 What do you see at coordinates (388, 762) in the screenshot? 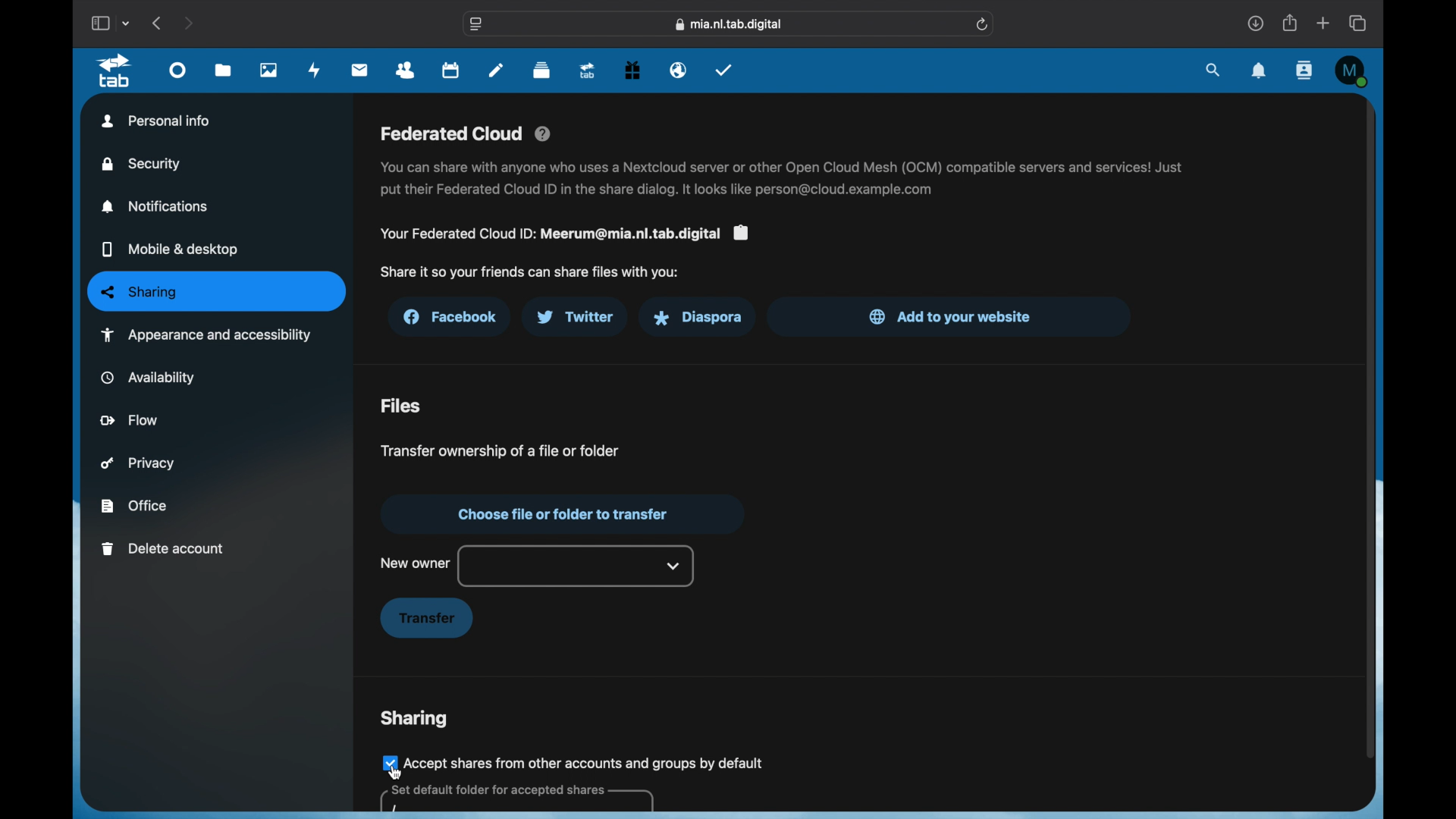
I see `Checked checkbox` at bounding box center [388, 762].